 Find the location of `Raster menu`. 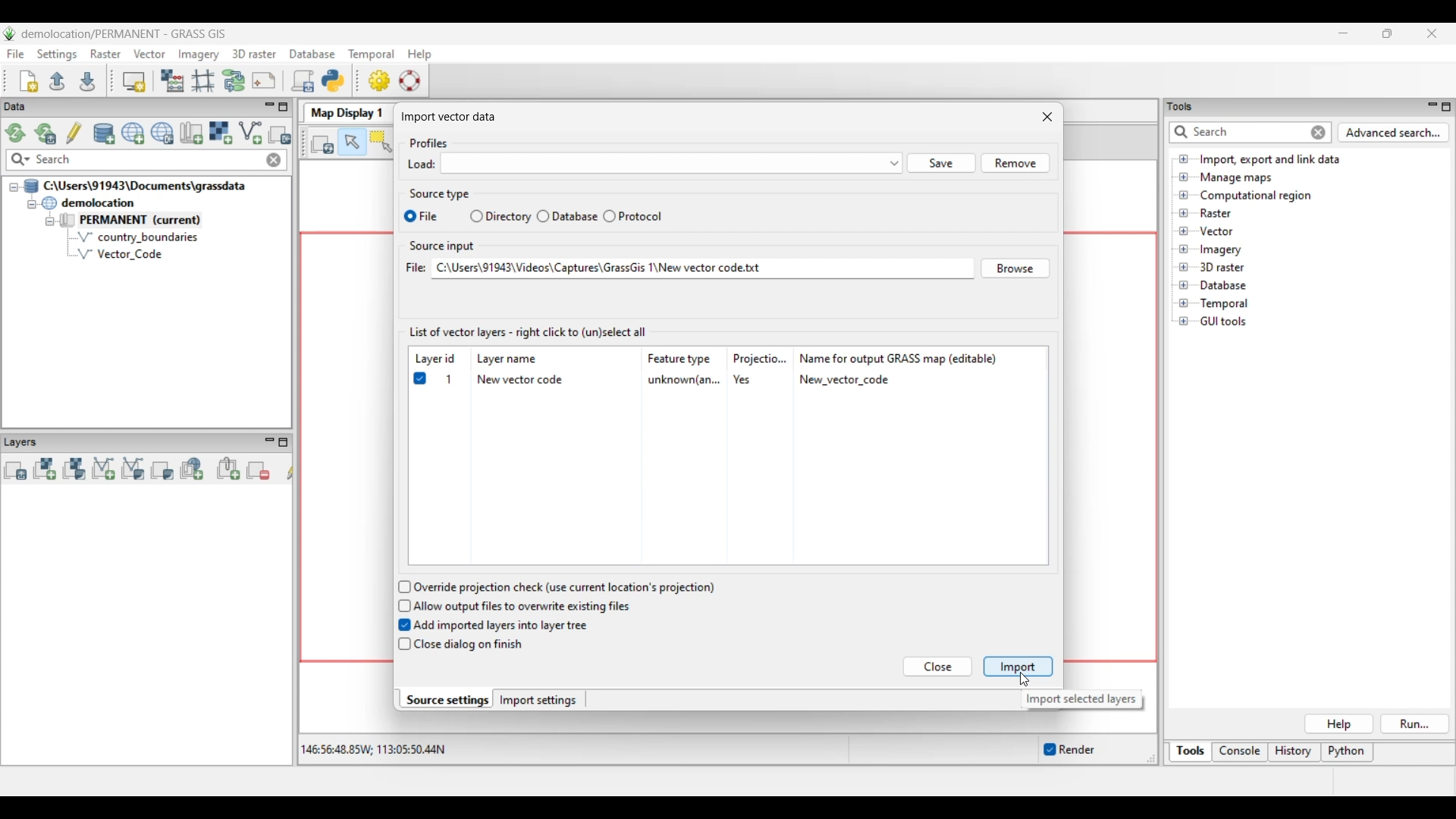

Raster menu is located at coordinates (105, 54).